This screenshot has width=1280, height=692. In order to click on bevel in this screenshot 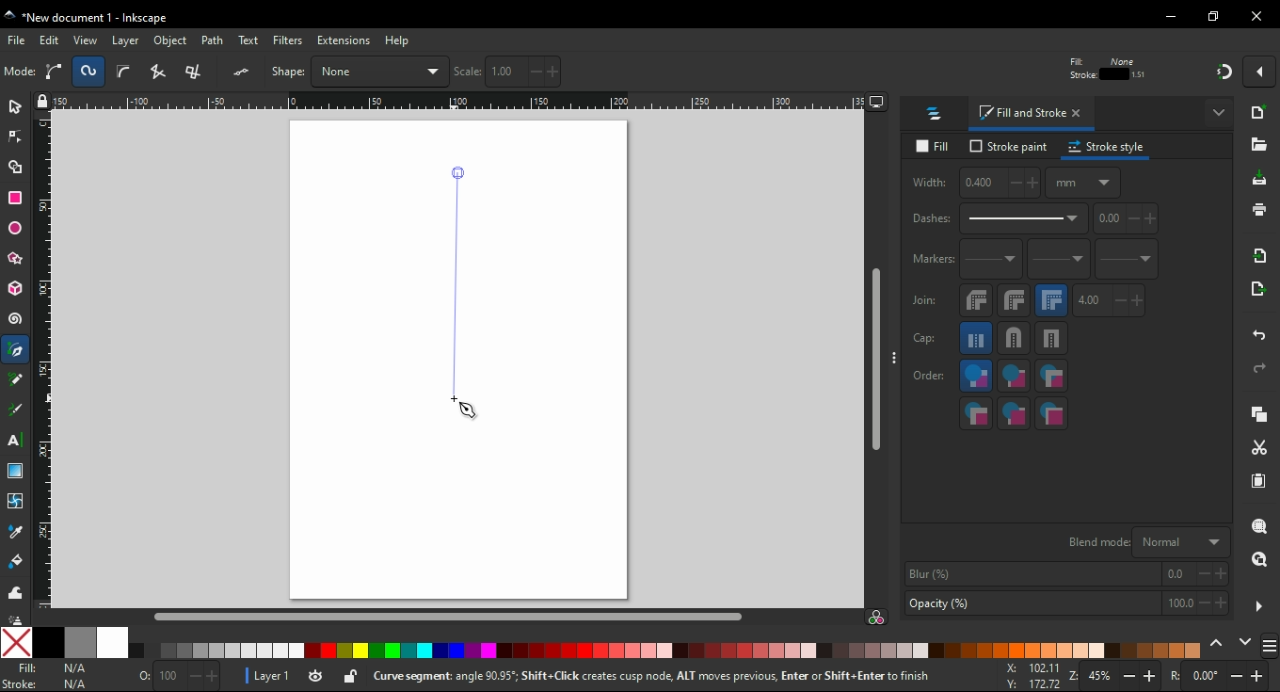, I will do `click(977, 301)`.